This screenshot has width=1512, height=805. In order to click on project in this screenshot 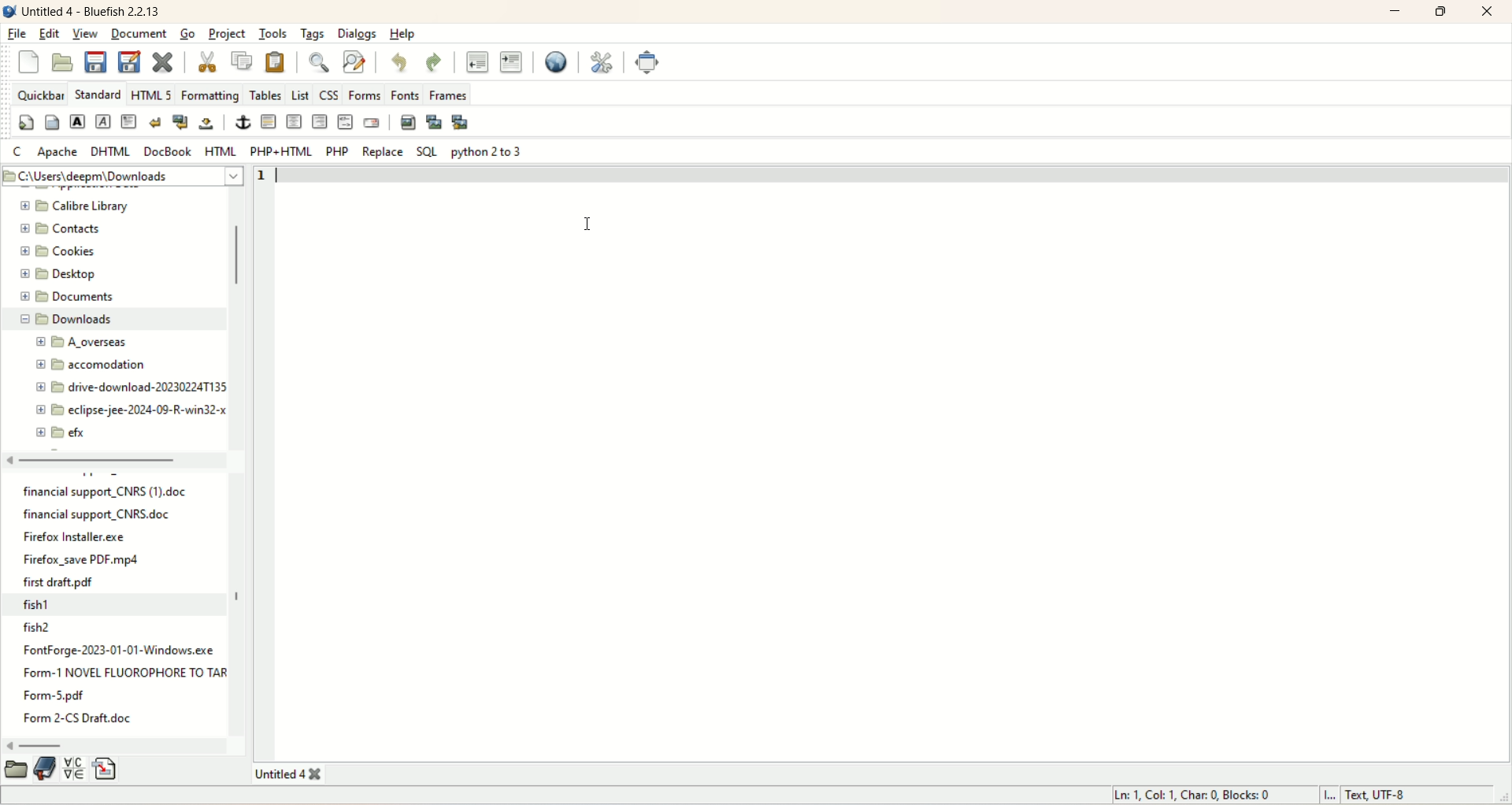, I will do `click(226, 33)`.